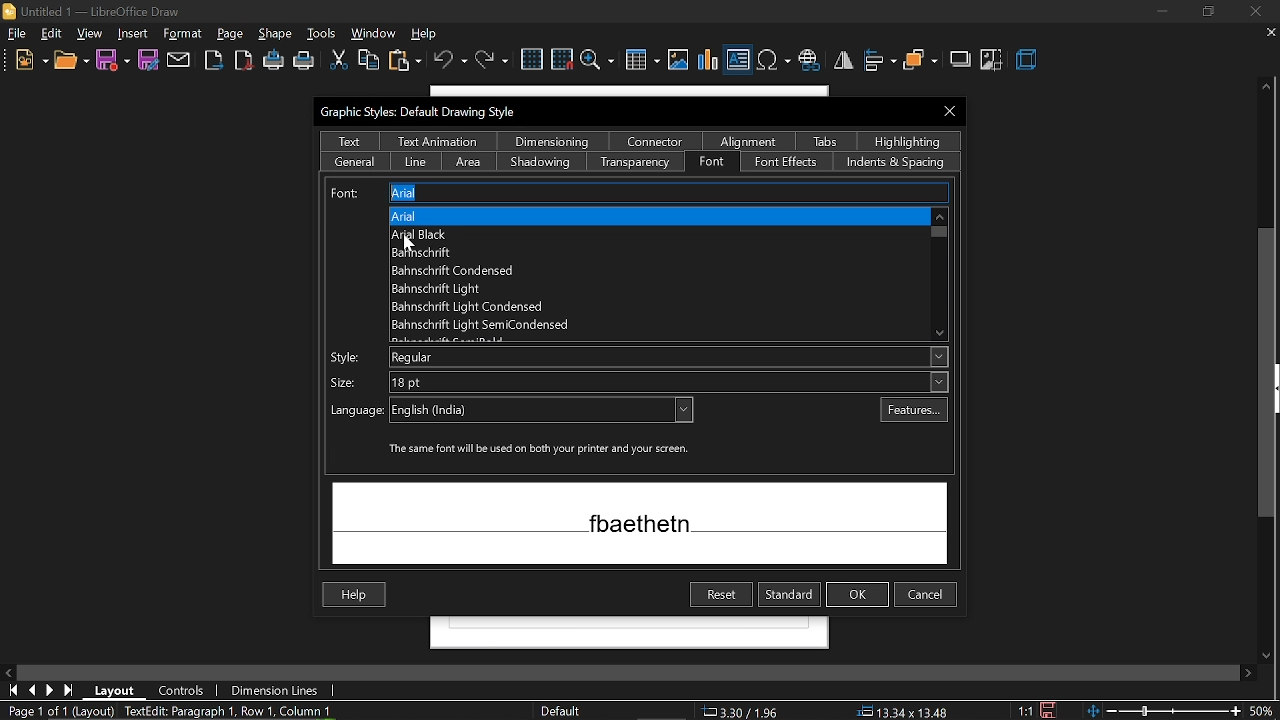 Image resolution: width=1280 pixels, height=720 pixels. What do you see at coordinates (273, 692) in the screenshot?
I see `dimension lines` at bounding box center [273, 692].